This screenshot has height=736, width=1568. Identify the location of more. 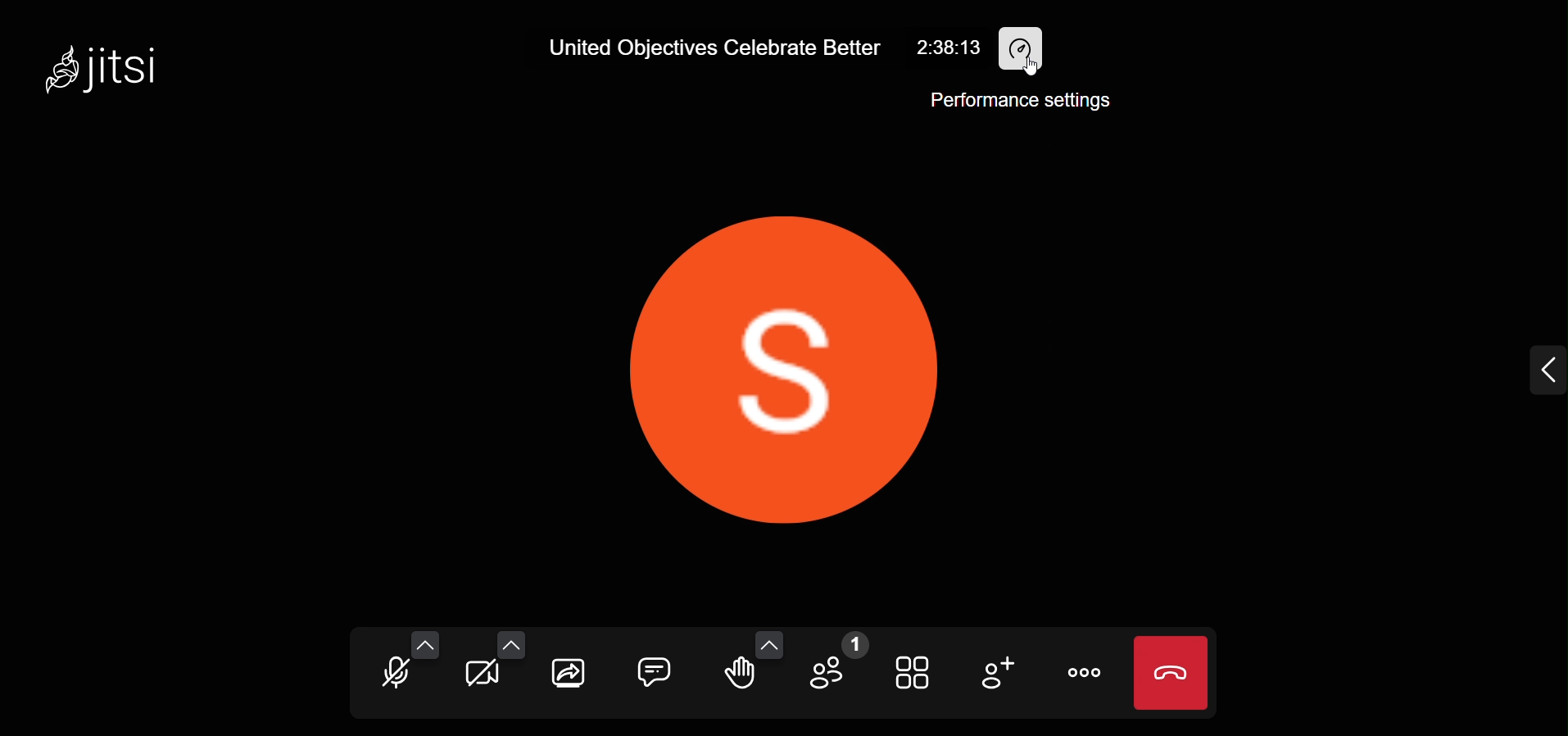
(1084, 673).